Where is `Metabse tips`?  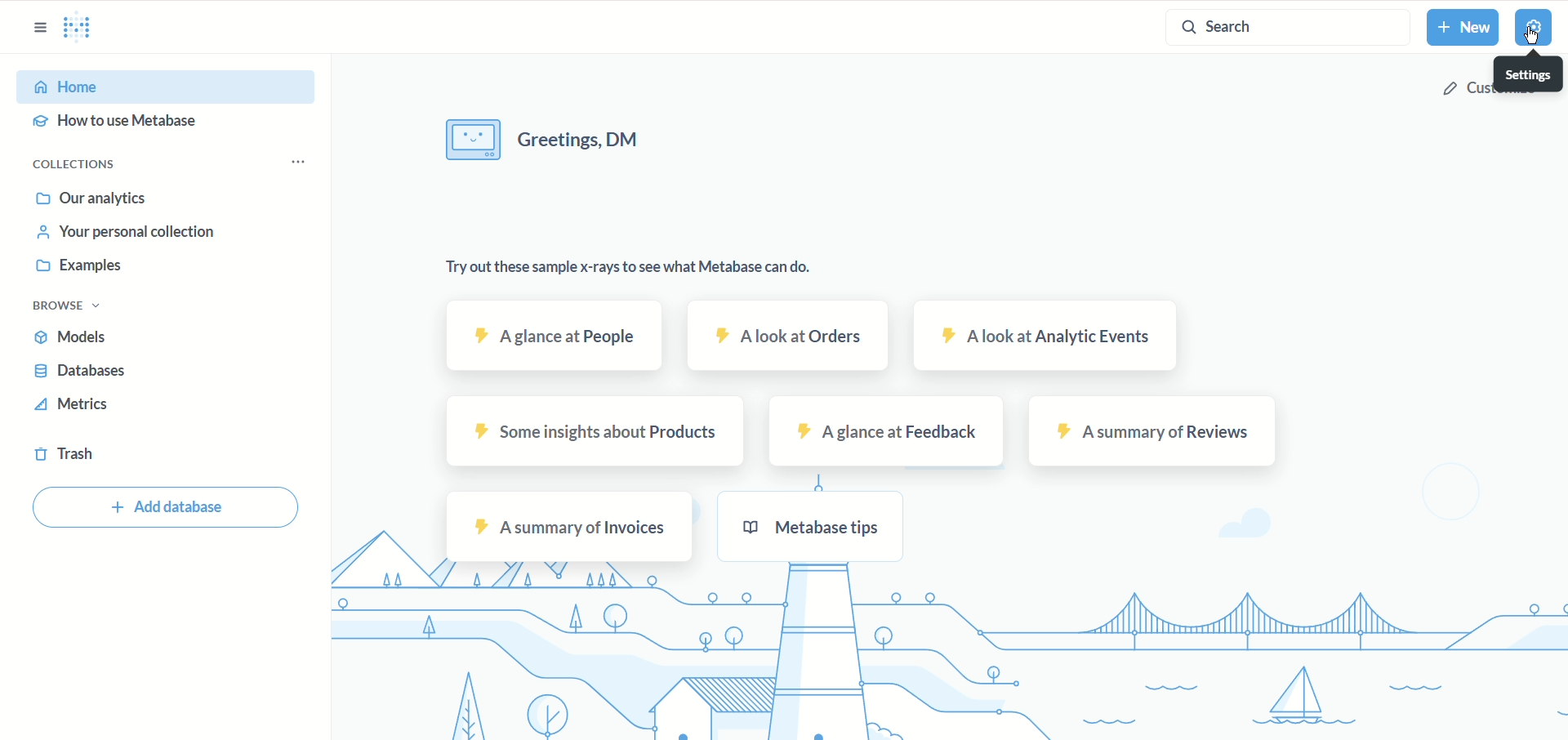
Metabse tips is located at coordinates (813, 528).